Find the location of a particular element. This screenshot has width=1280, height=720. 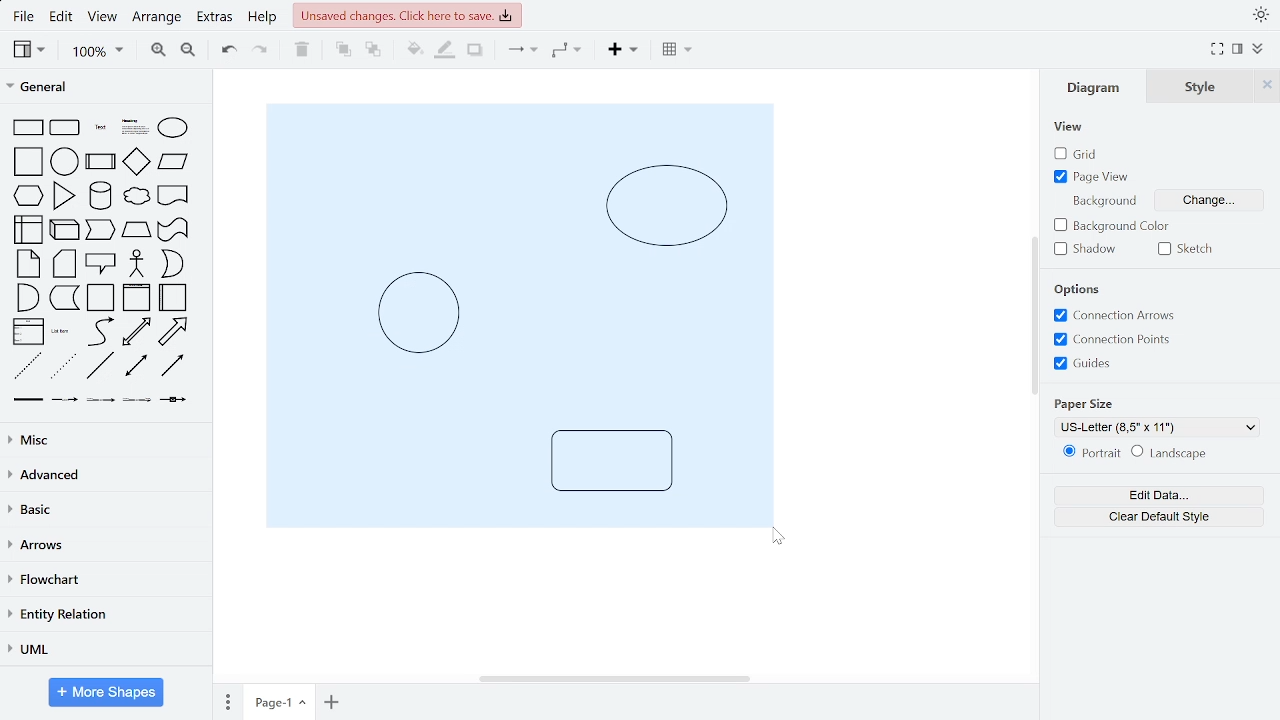

general is located at coordinates (102, 88).